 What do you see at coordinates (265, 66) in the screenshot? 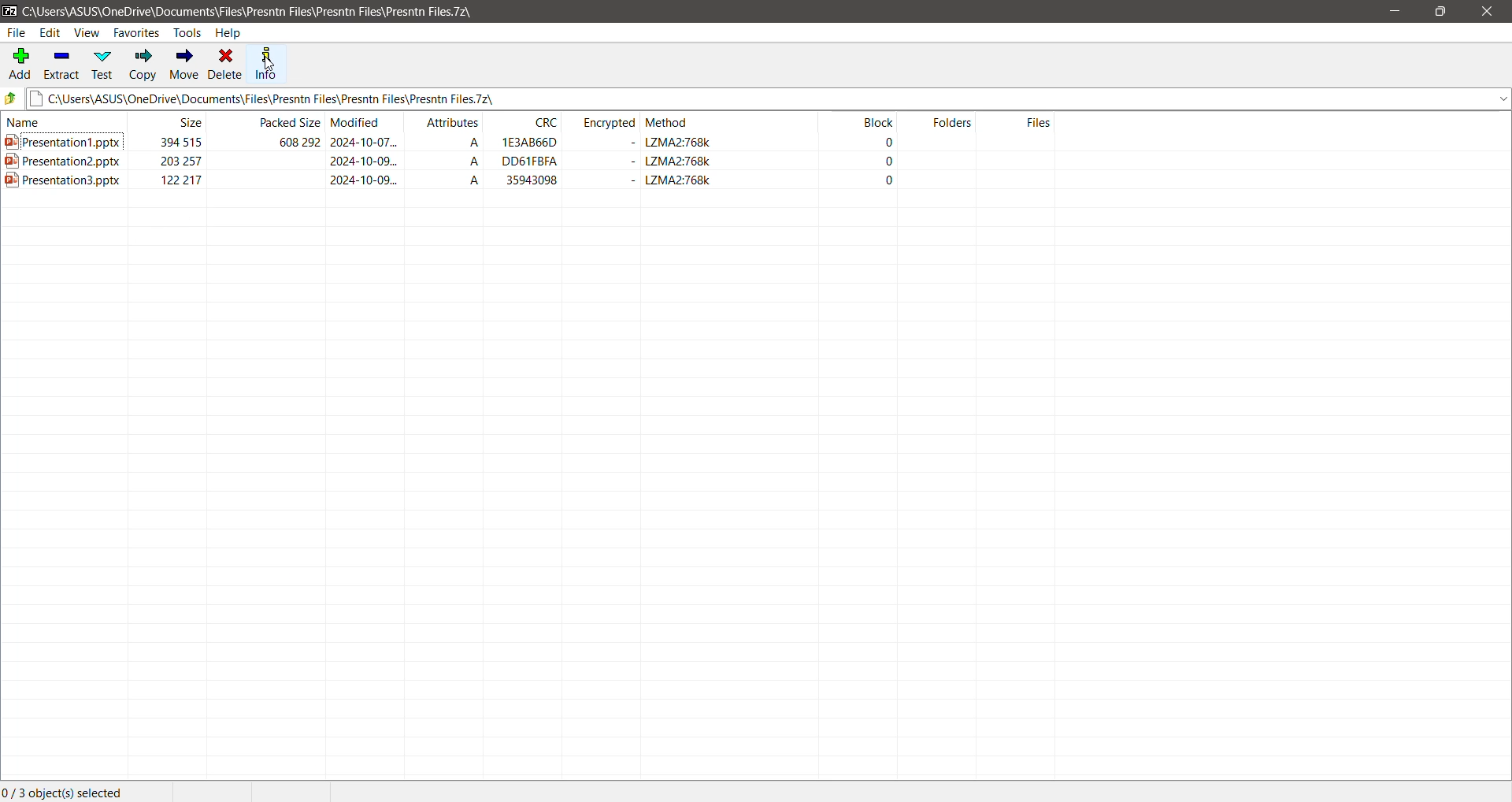
I see `Info` at bounding box center [265, 66].